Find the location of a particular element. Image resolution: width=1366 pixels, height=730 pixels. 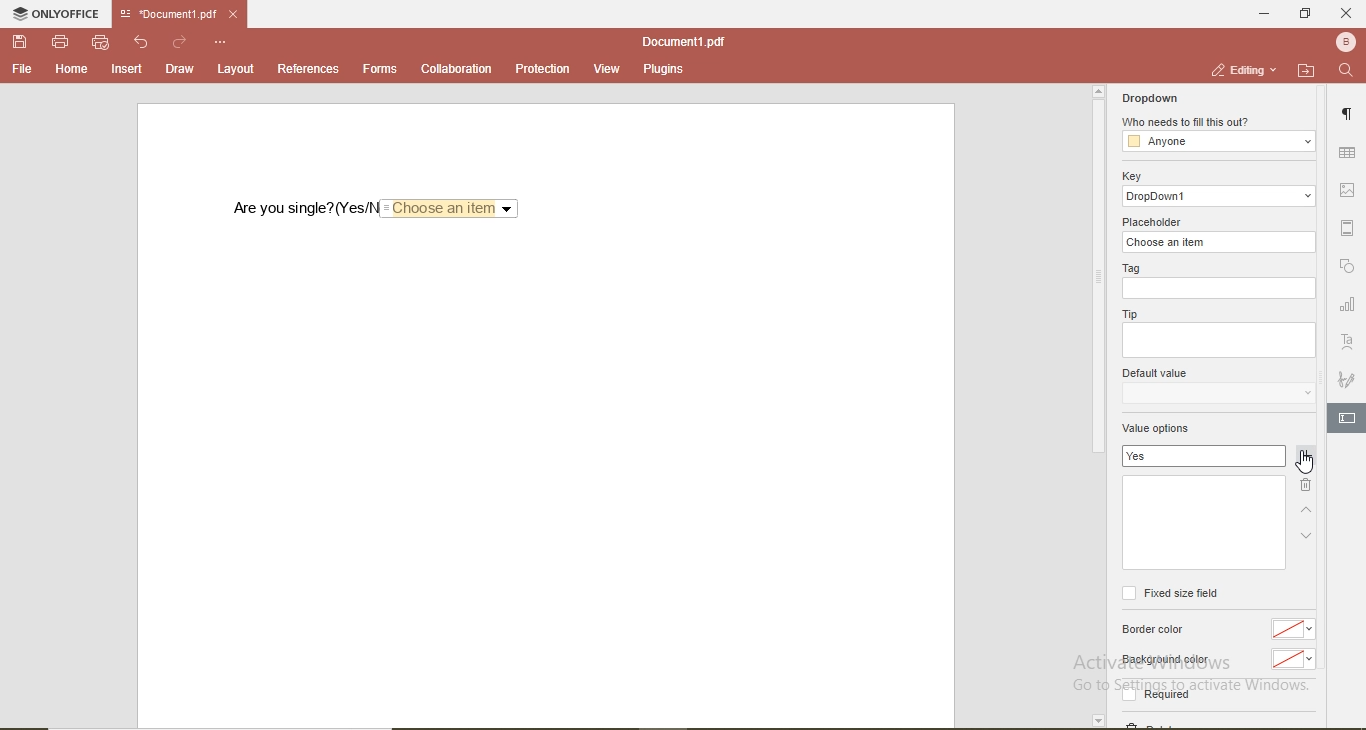

home is located at coordinates (73, 70).